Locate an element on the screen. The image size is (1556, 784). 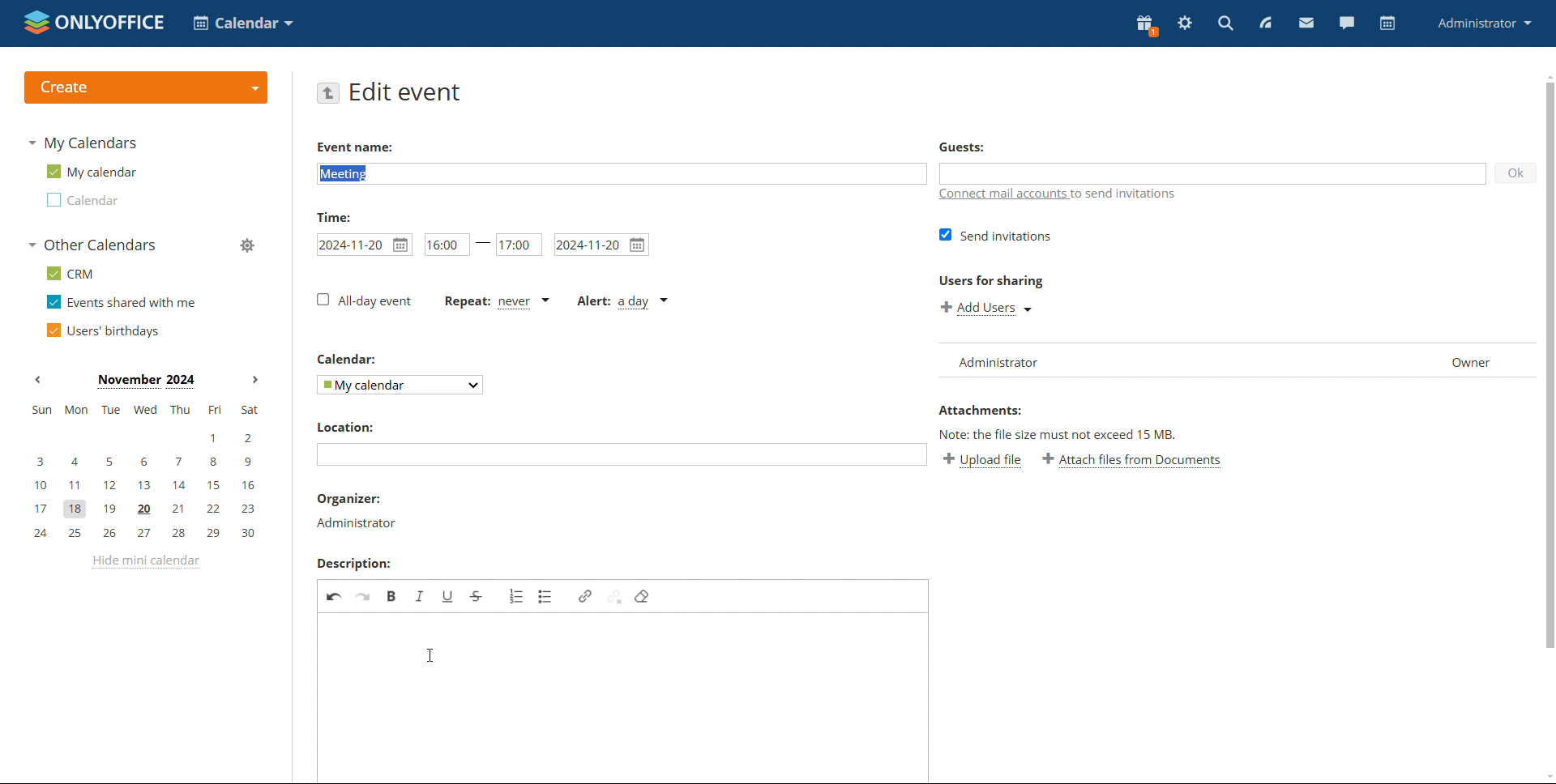
alert type is located at coordinates (623, 302).